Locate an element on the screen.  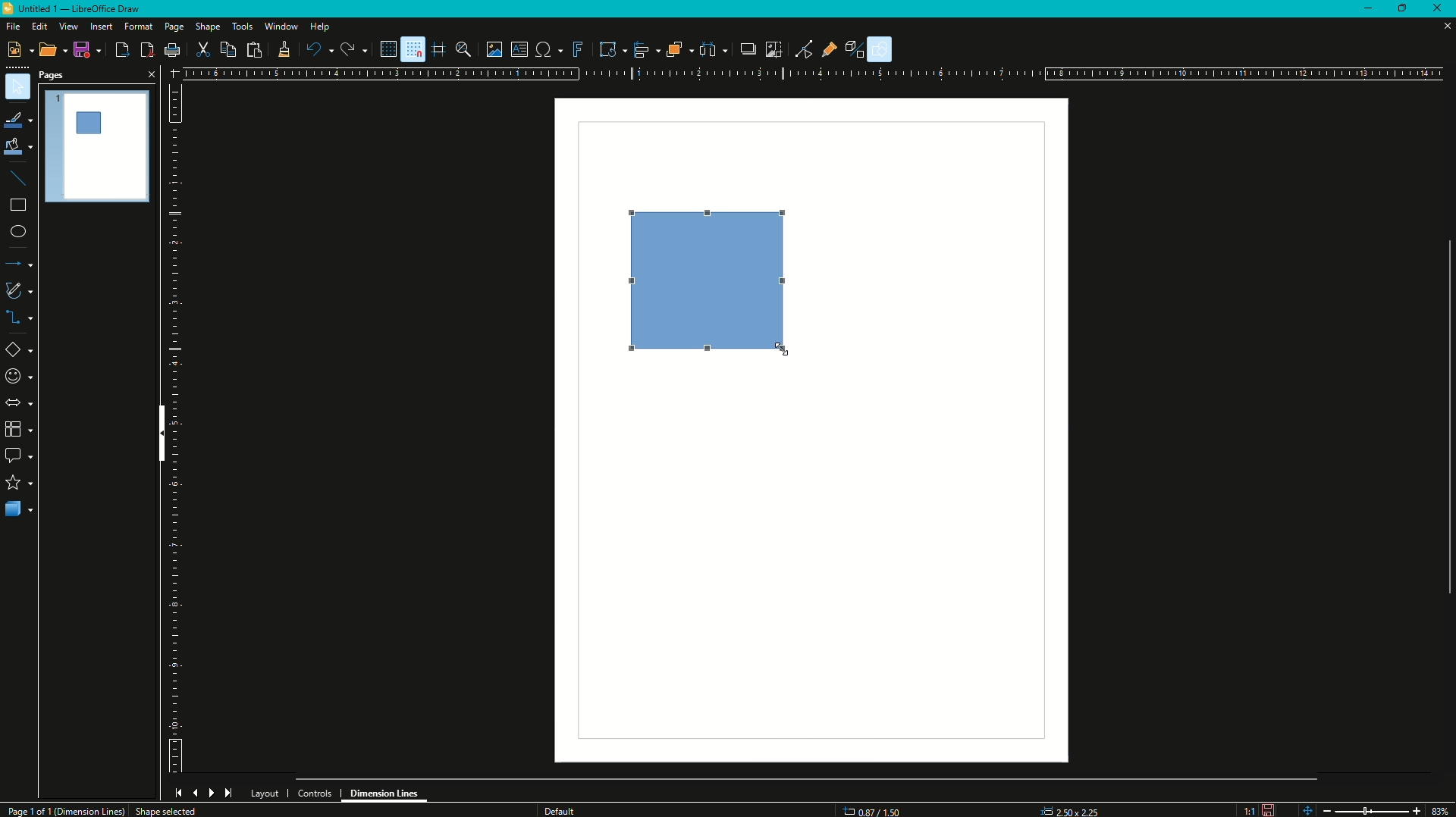
Helplines is located at coordinates (438, 49).